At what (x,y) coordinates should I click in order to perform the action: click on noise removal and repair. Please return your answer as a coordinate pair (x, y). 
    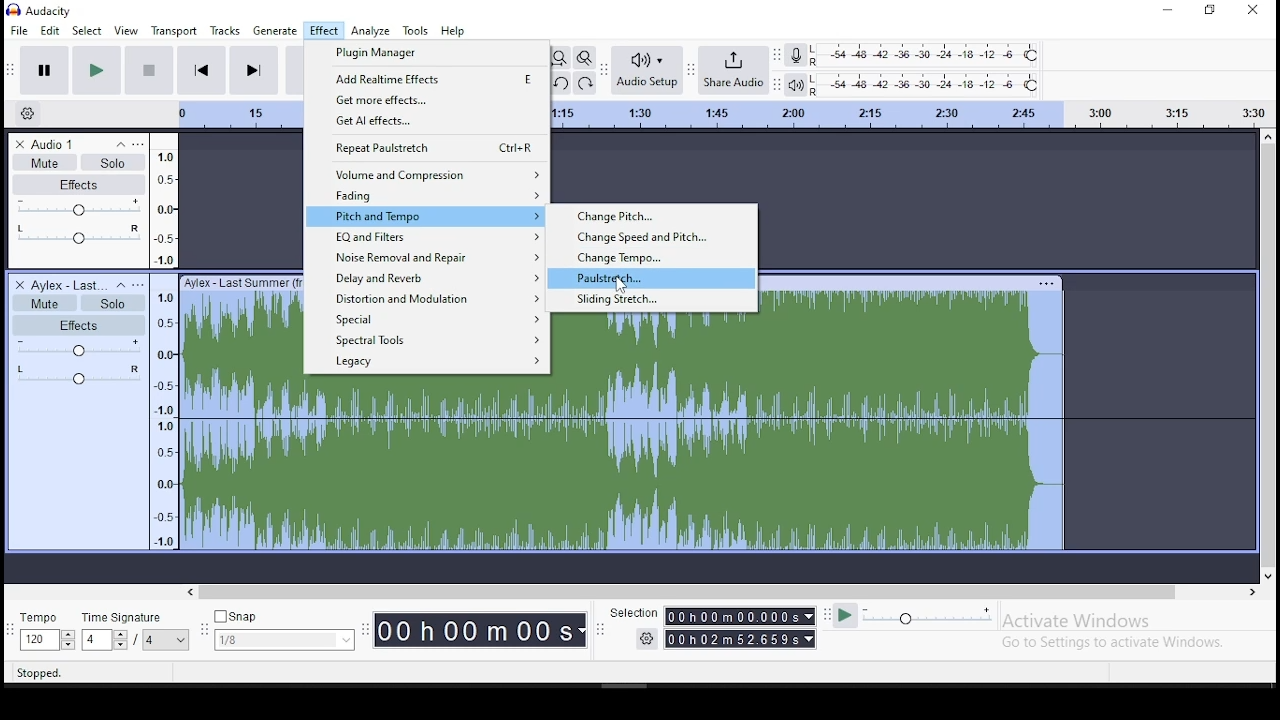
    Looking at the image, I should click on (425, 258).